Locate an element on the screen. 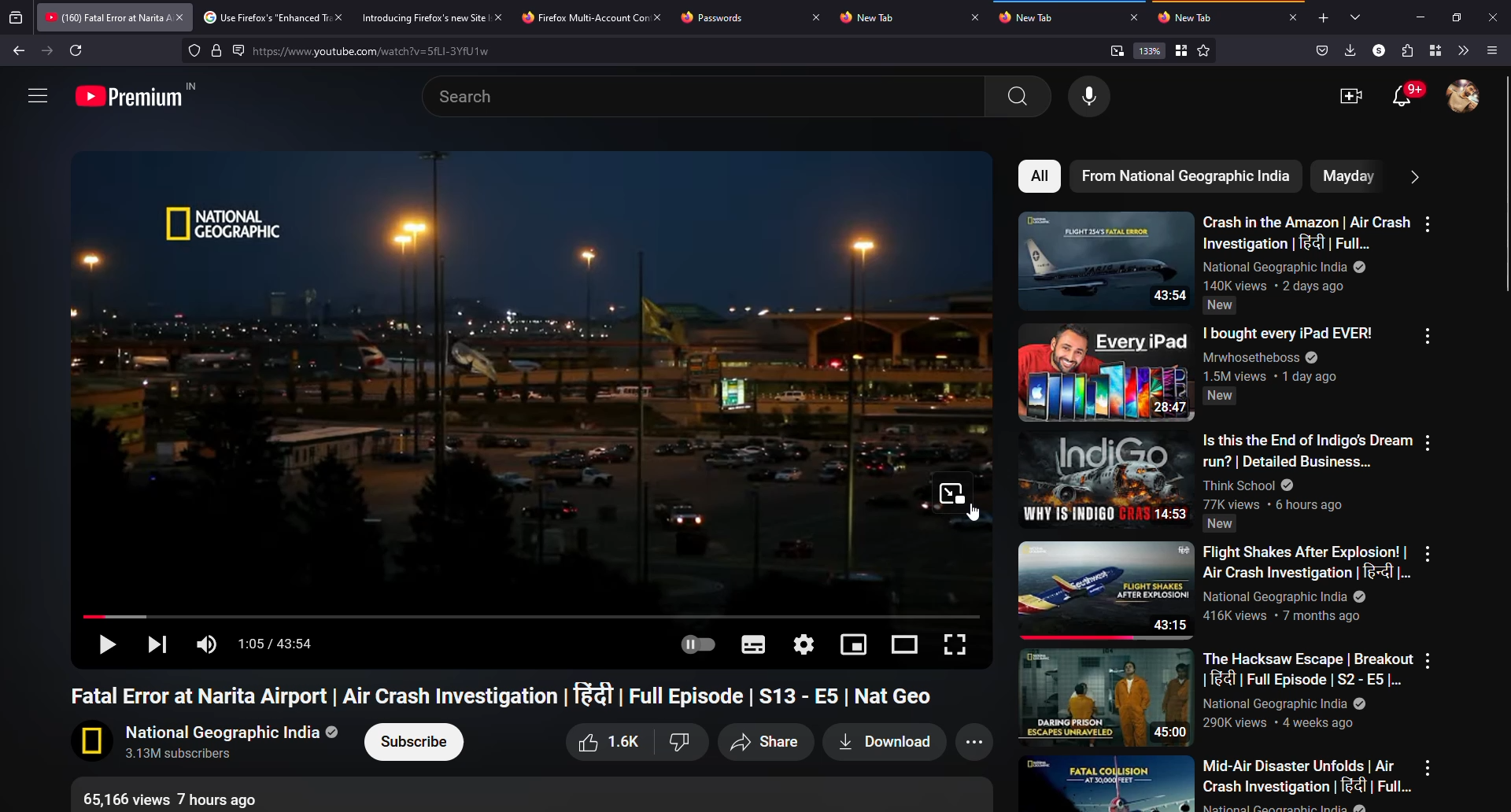 Image resolution: width=1511 pixels, height=812 pixels. autoplay is located at coordinates (696, 645).